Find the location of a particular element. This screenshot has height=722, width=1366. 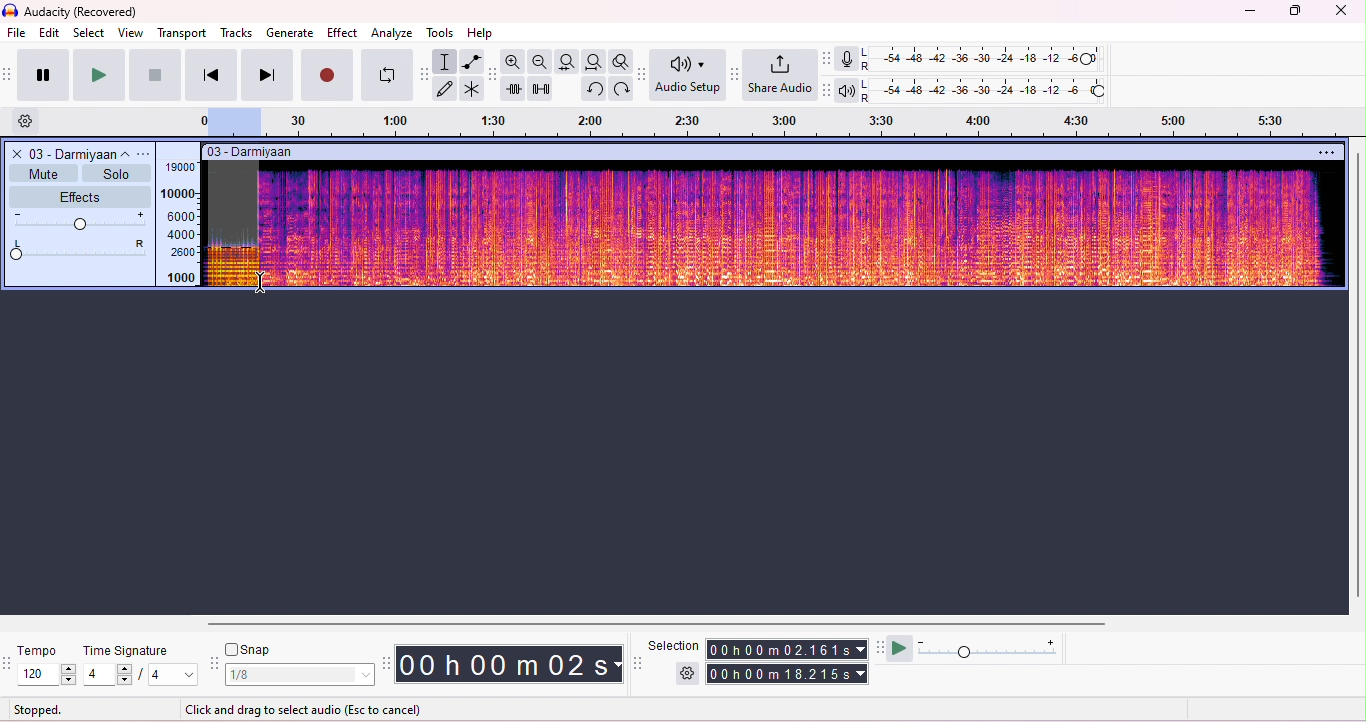

zoom in is located at coordinates (512, 61).